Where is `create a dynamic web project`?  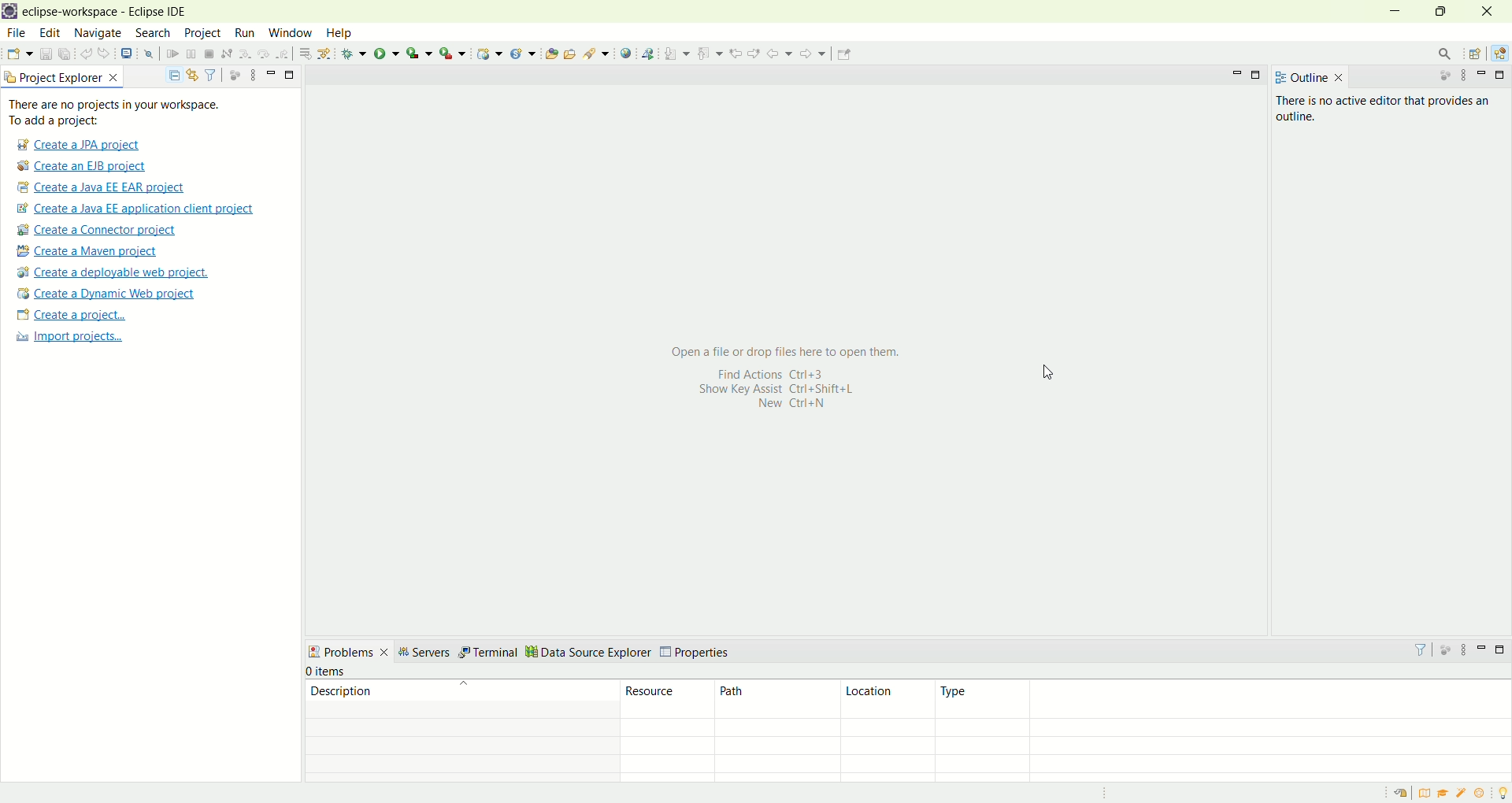 create a dynamic web project is located at coordinates (489, 54).